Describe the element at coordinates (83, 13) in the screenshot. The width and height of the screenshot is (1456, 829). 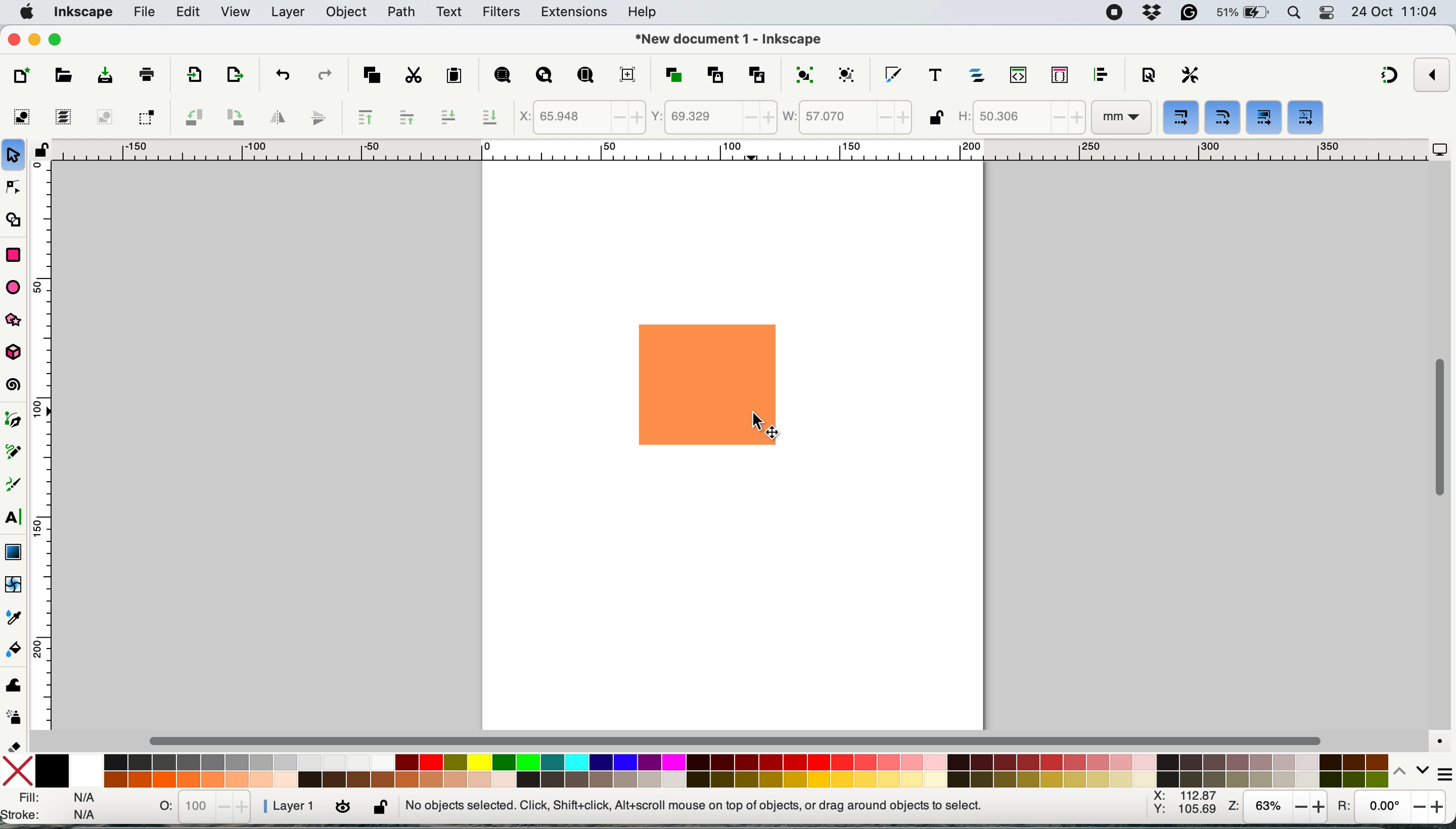
I see `inkscape` at that location.